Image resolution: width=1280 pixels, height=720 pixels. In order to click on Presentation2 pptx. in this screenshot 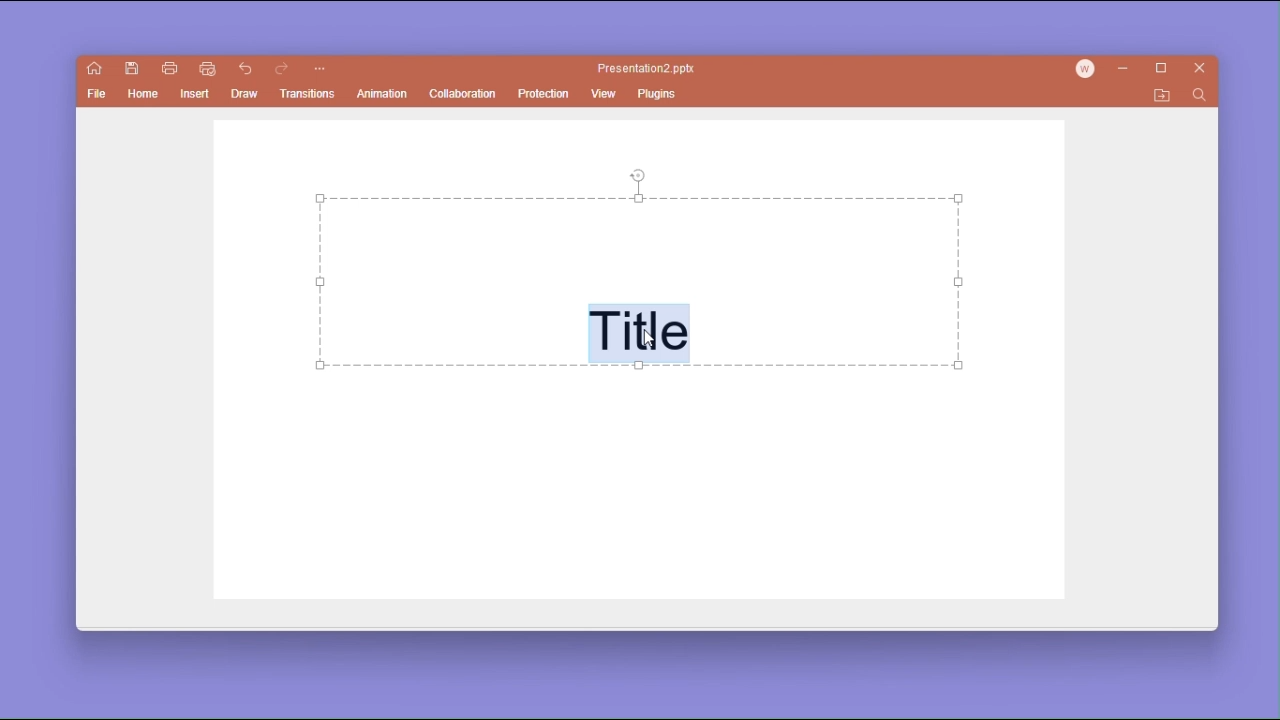, I will do `click(649, 69)`.